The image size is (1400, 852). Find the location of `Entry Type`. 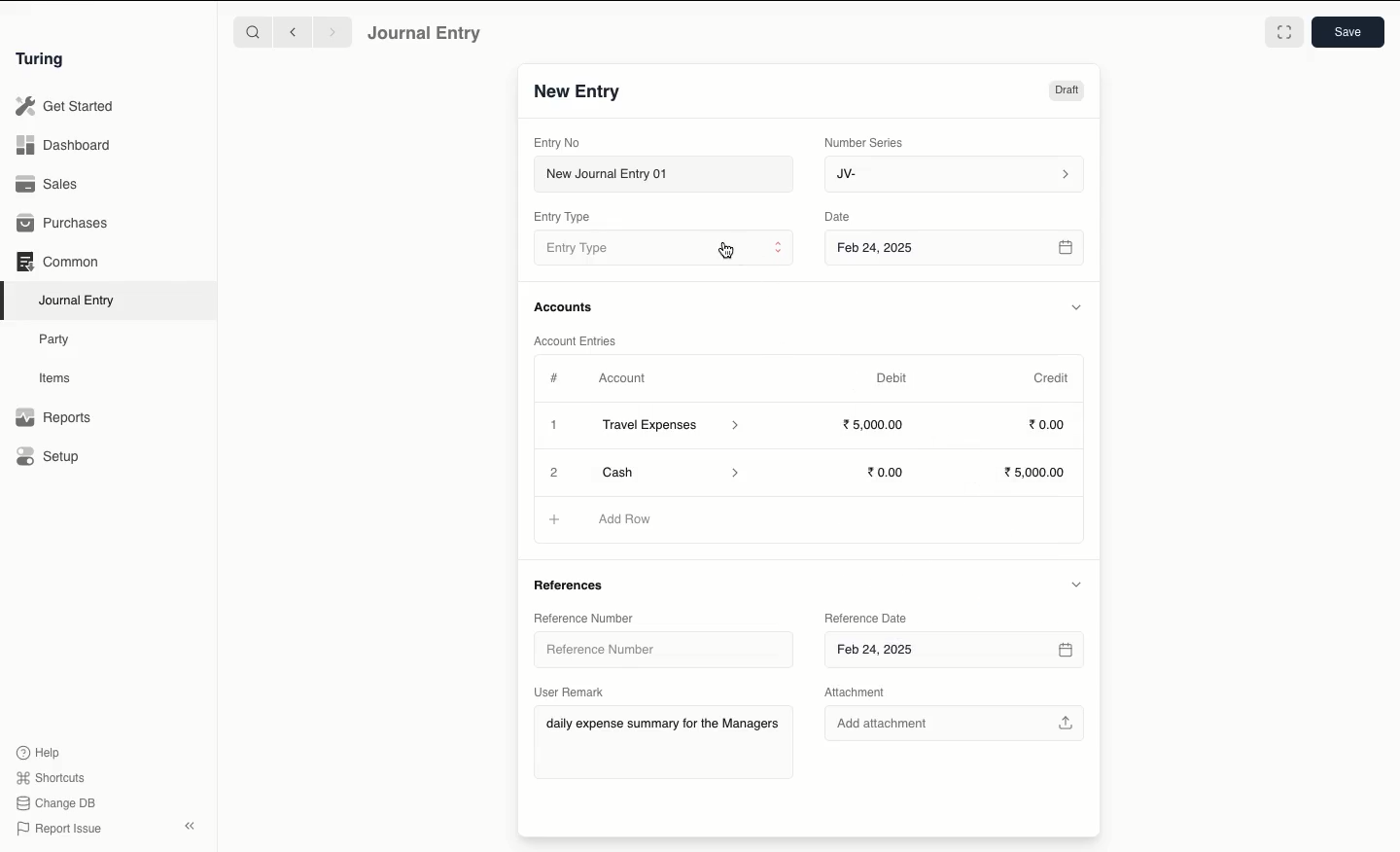

Entry Type is located at coordinates (663, 247).